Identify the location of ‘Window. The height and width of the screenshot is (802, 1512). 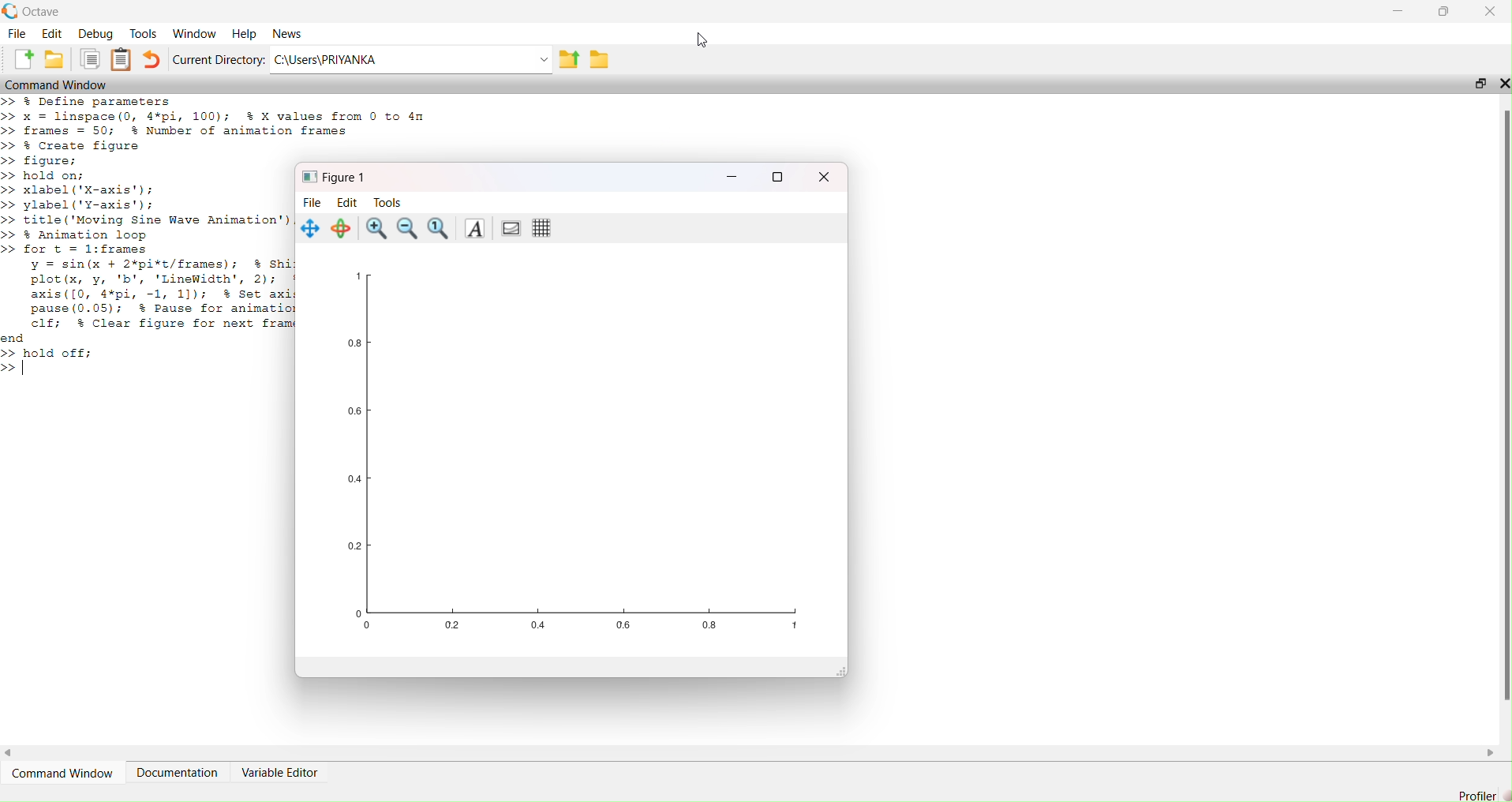
(194, 32).